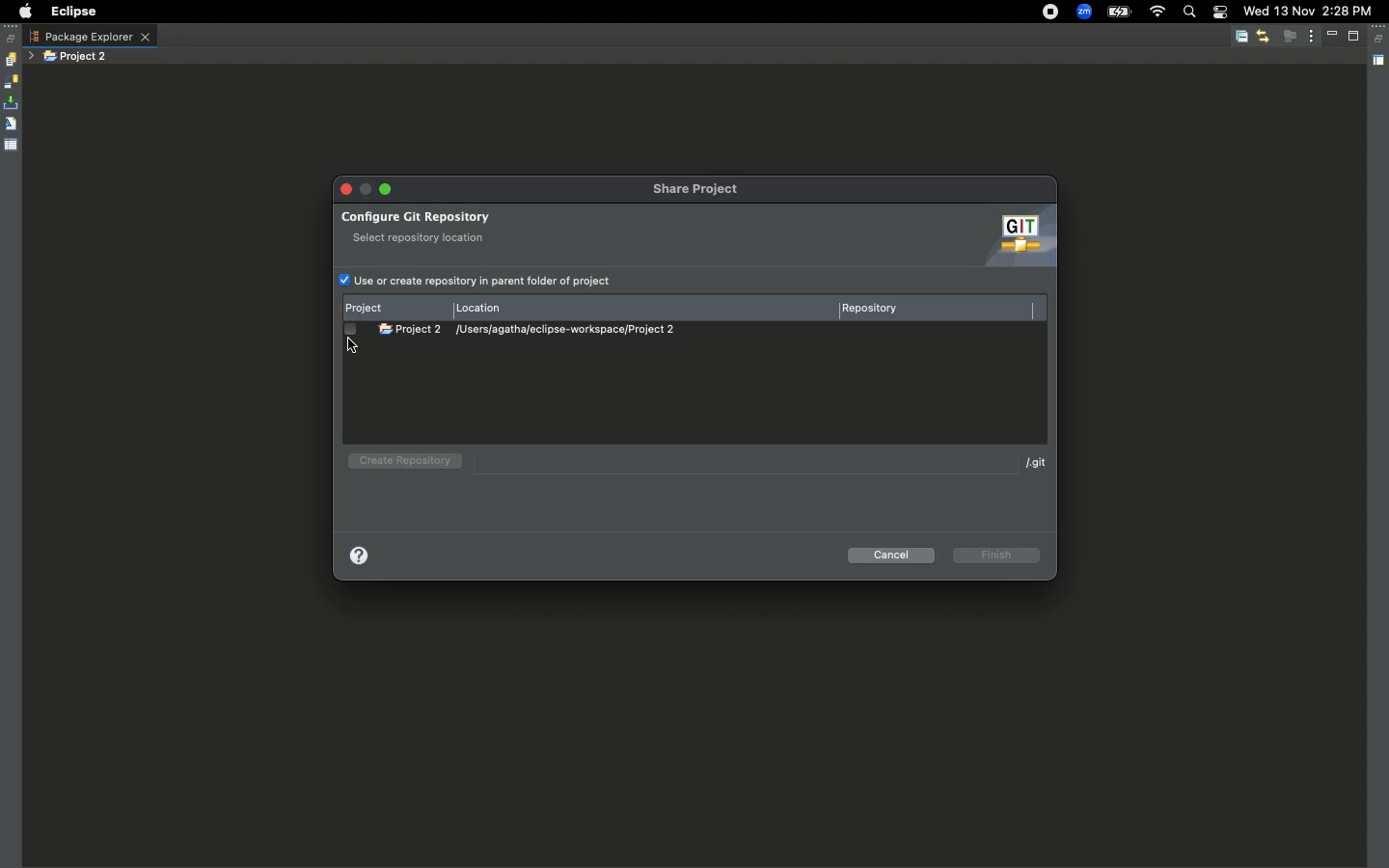 Image resolution: width=1389 pixels, height=868 pixels. Describe the element at coordinates (401, 461) in the screenshot. I see `Create Repository` at that location.